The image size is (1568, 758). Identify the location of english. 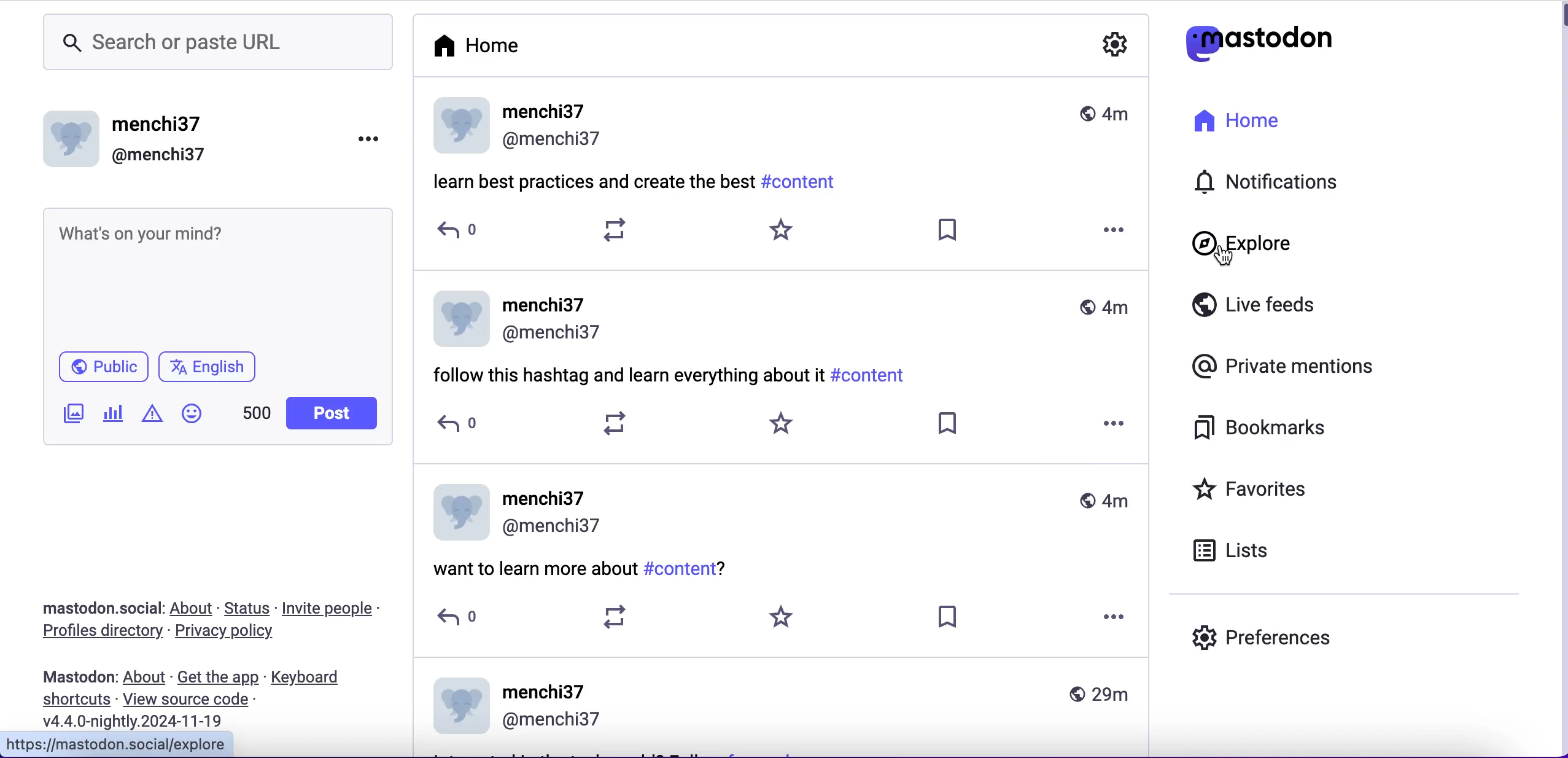
(211, 369).